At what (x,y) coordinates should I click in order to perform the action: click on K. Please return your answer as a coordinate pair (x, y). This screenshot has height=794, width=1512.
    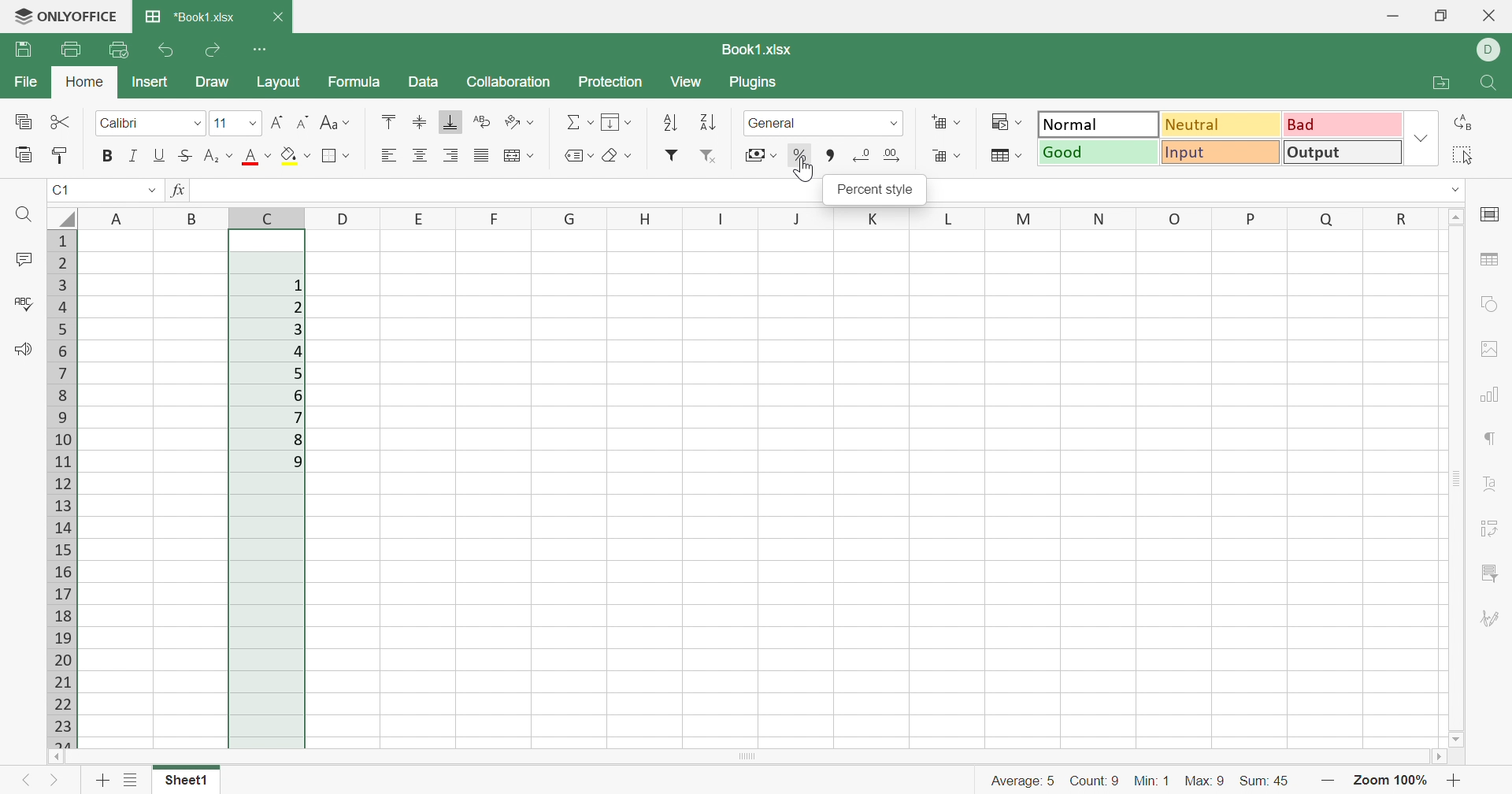
    Looking at the image, I should click on (873, 218).